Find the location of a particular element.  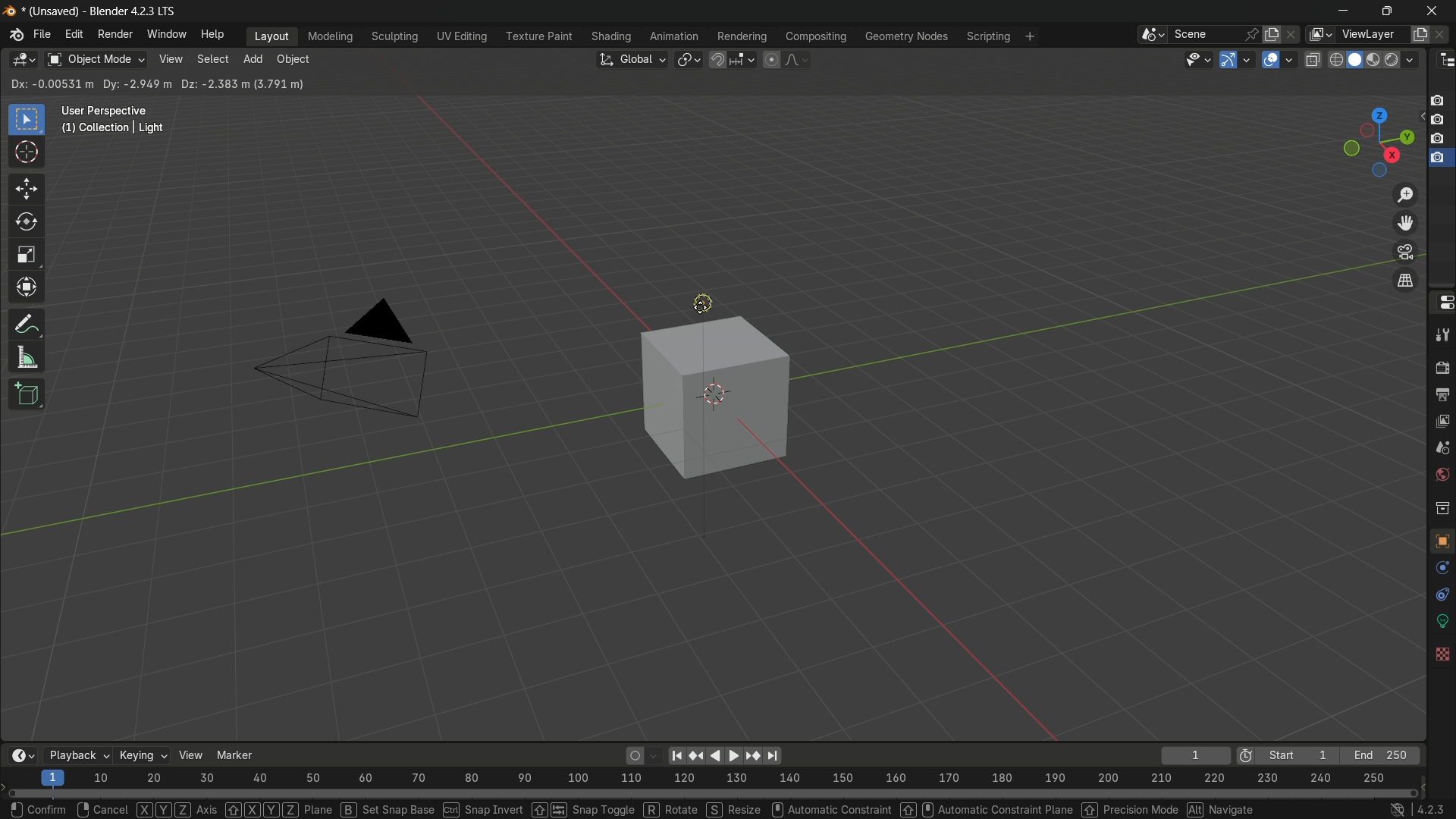

cursor is located at coordinates (702, 303).